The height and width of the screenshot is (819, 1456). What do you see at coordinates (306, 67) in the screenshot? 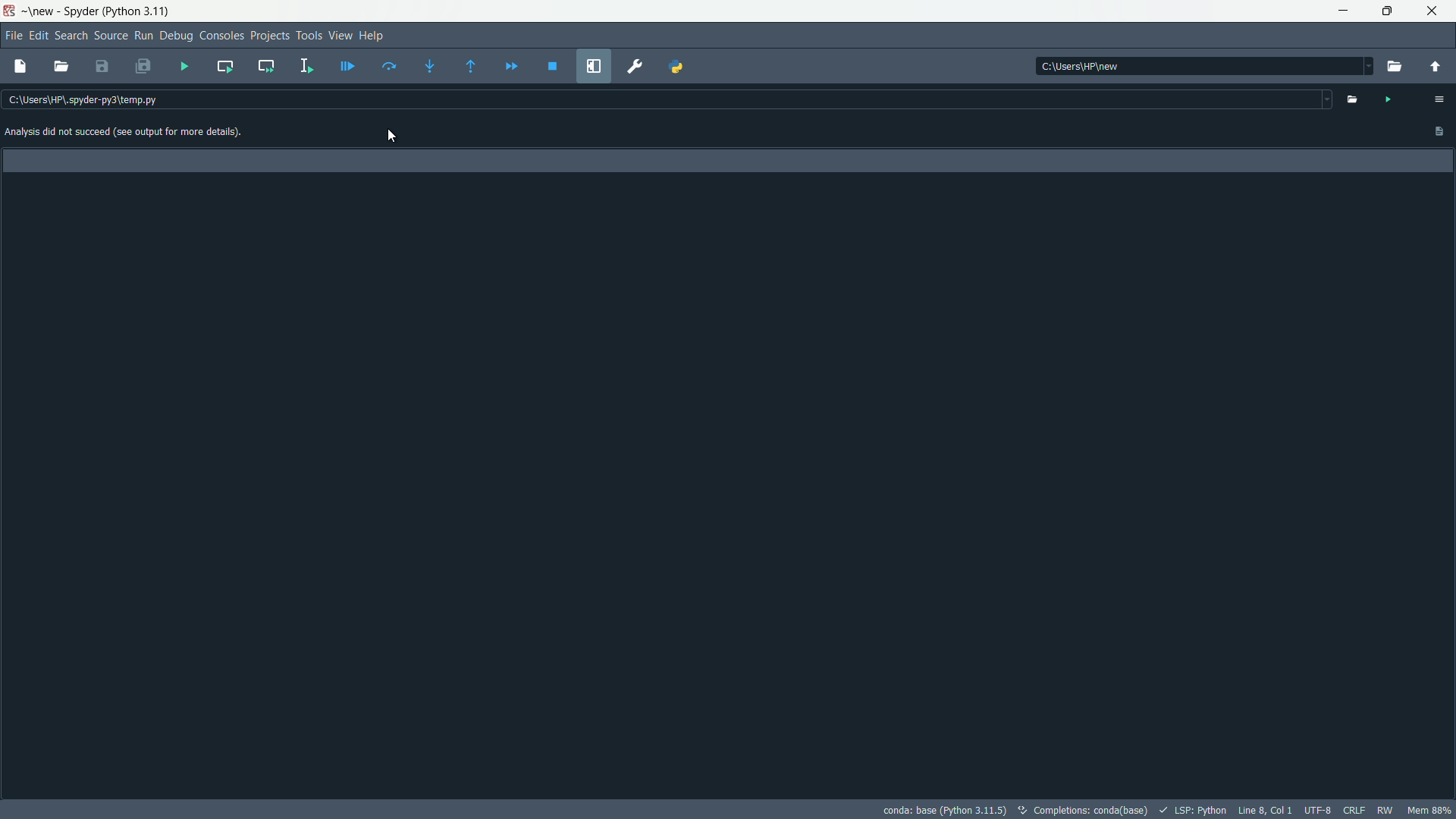
I see `run selection` at bounding box center [306, 67].